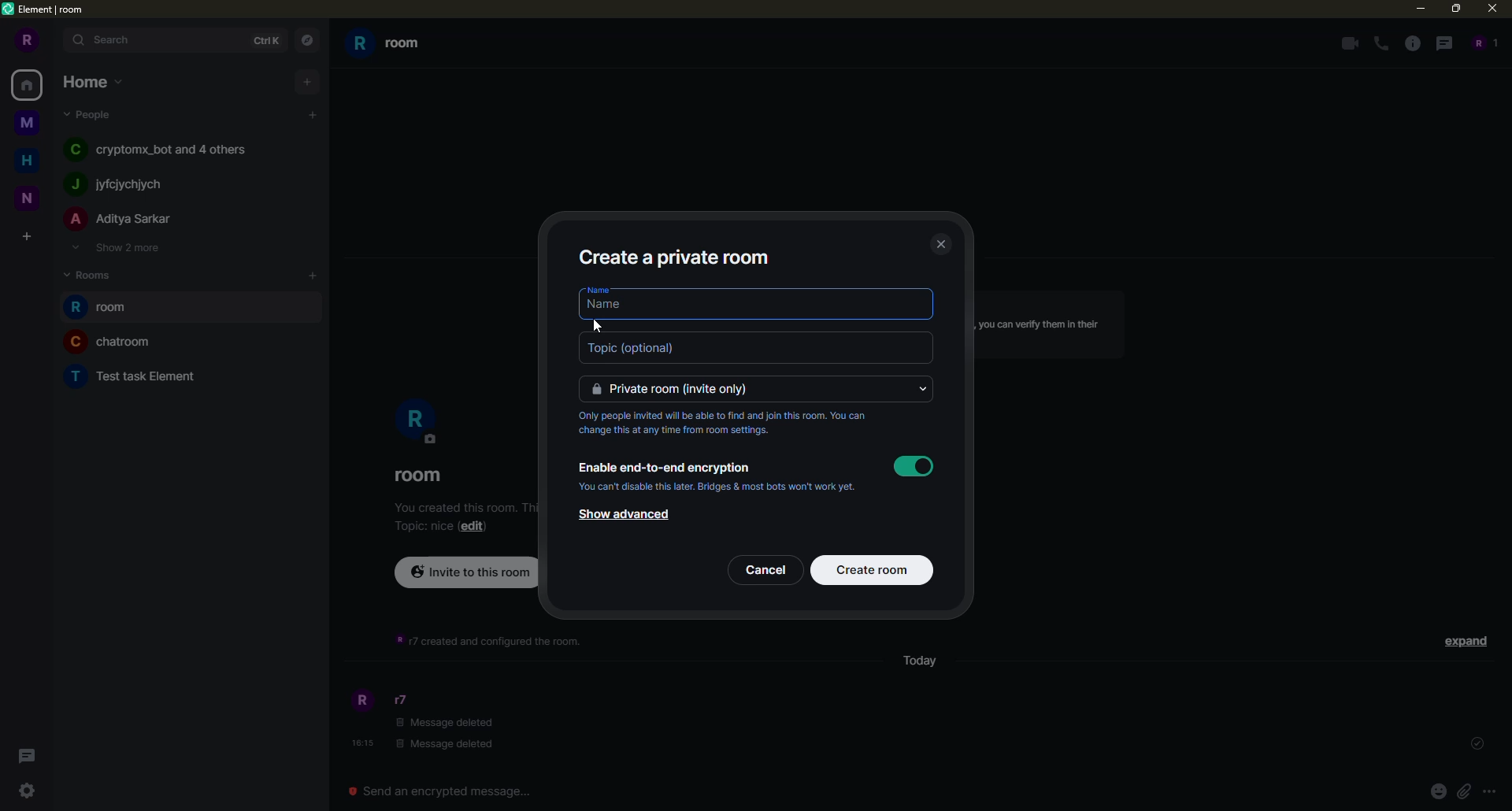  I want to click on home, so click(92, 81).